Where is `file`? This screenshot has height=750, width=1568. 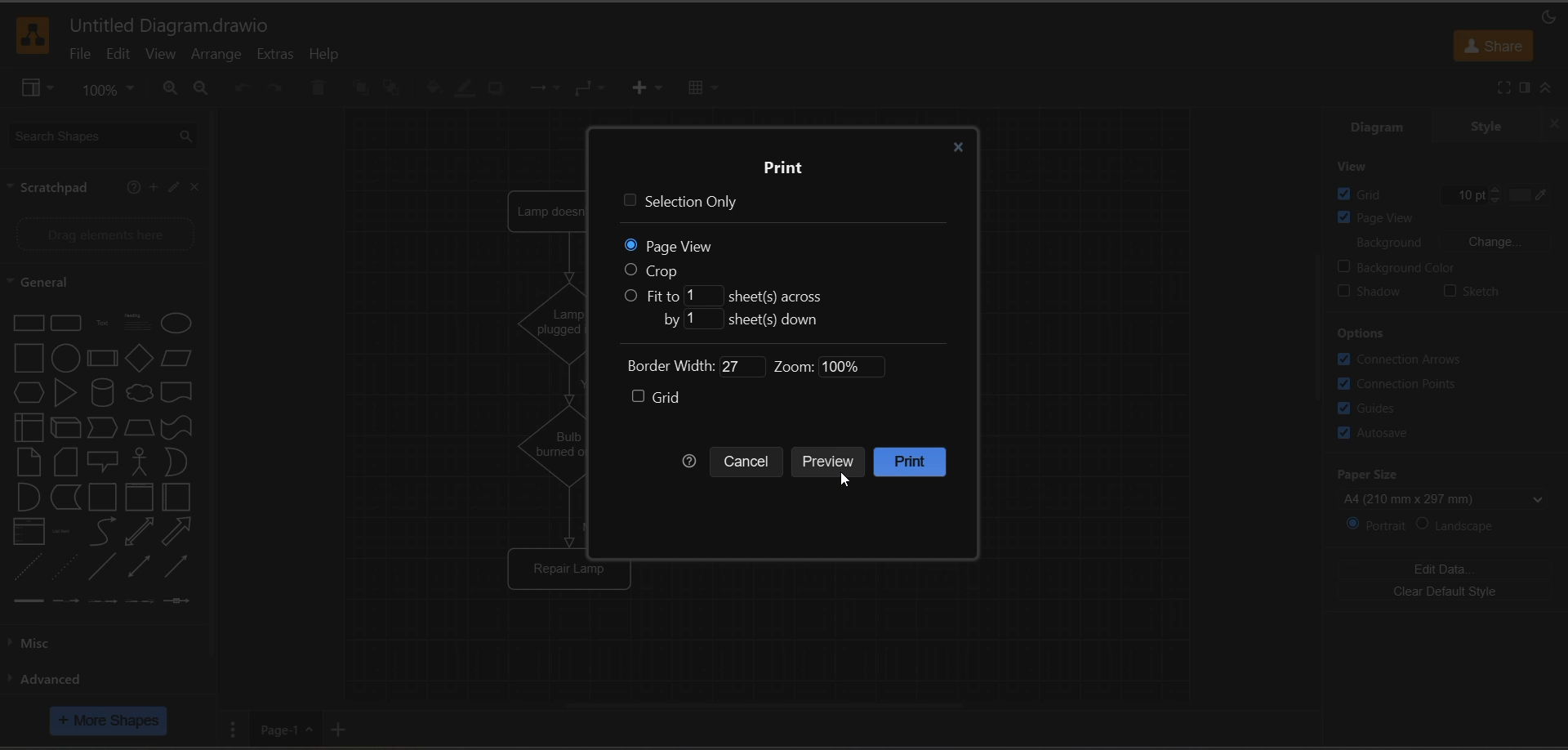 file is located at coordinates (74, 55).